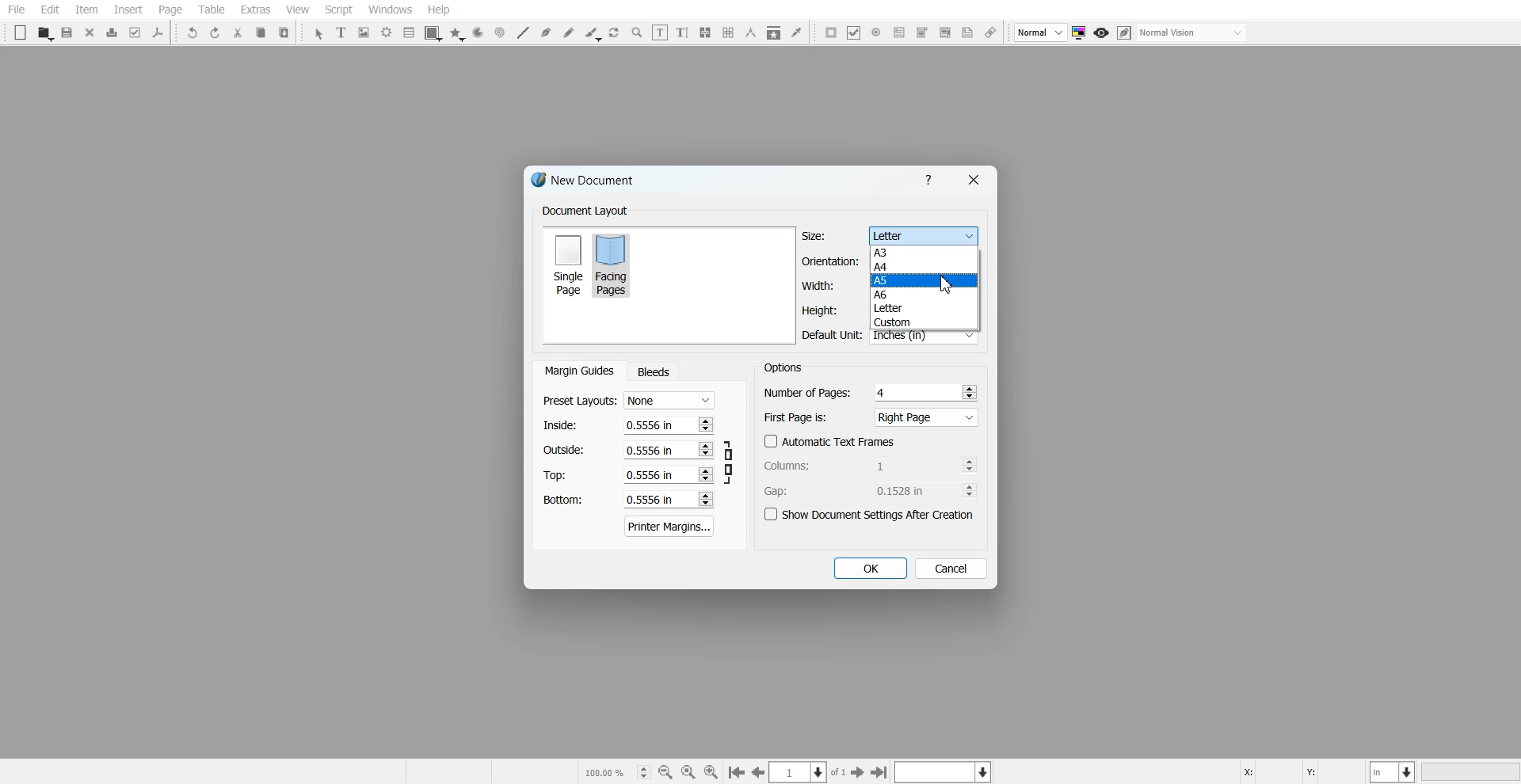 The width and height of the screenshot is (1521, 784). I want to click on Height adjuster, so click(829, 310).